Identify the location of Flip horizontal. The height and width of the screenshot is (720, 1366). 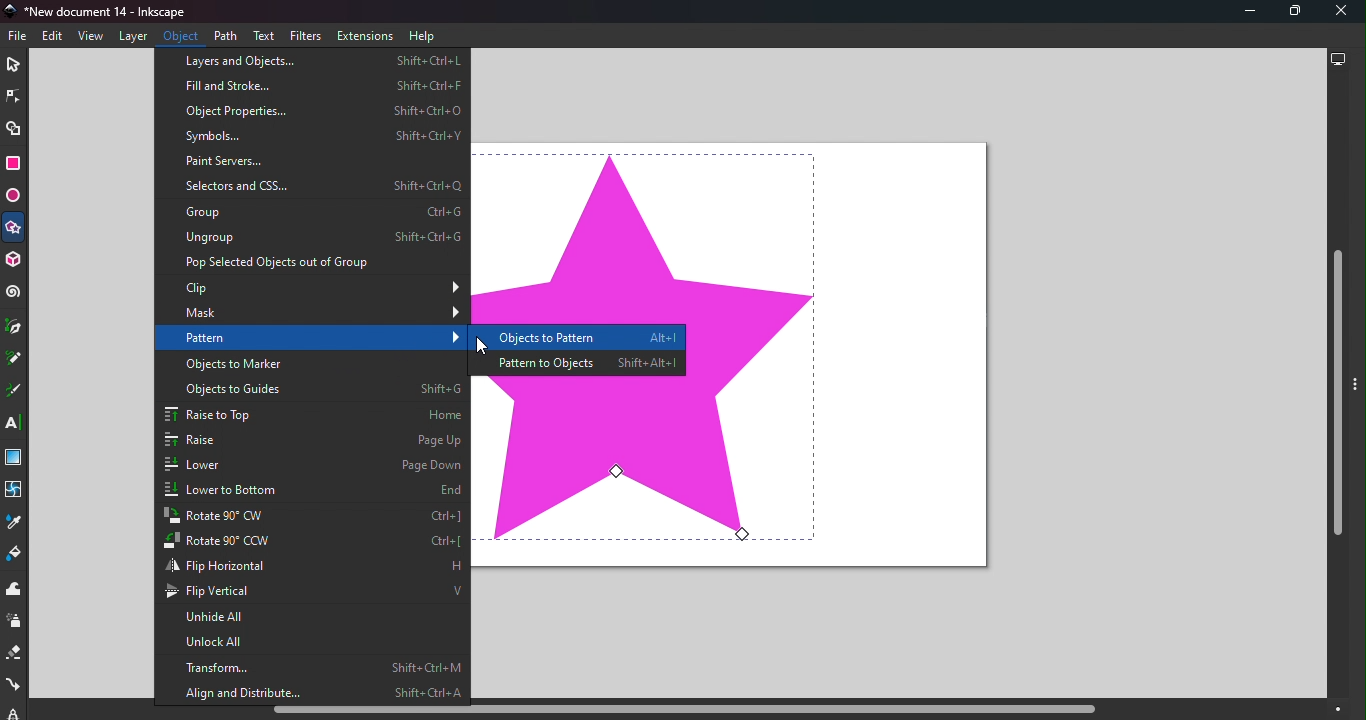
(312, 568).